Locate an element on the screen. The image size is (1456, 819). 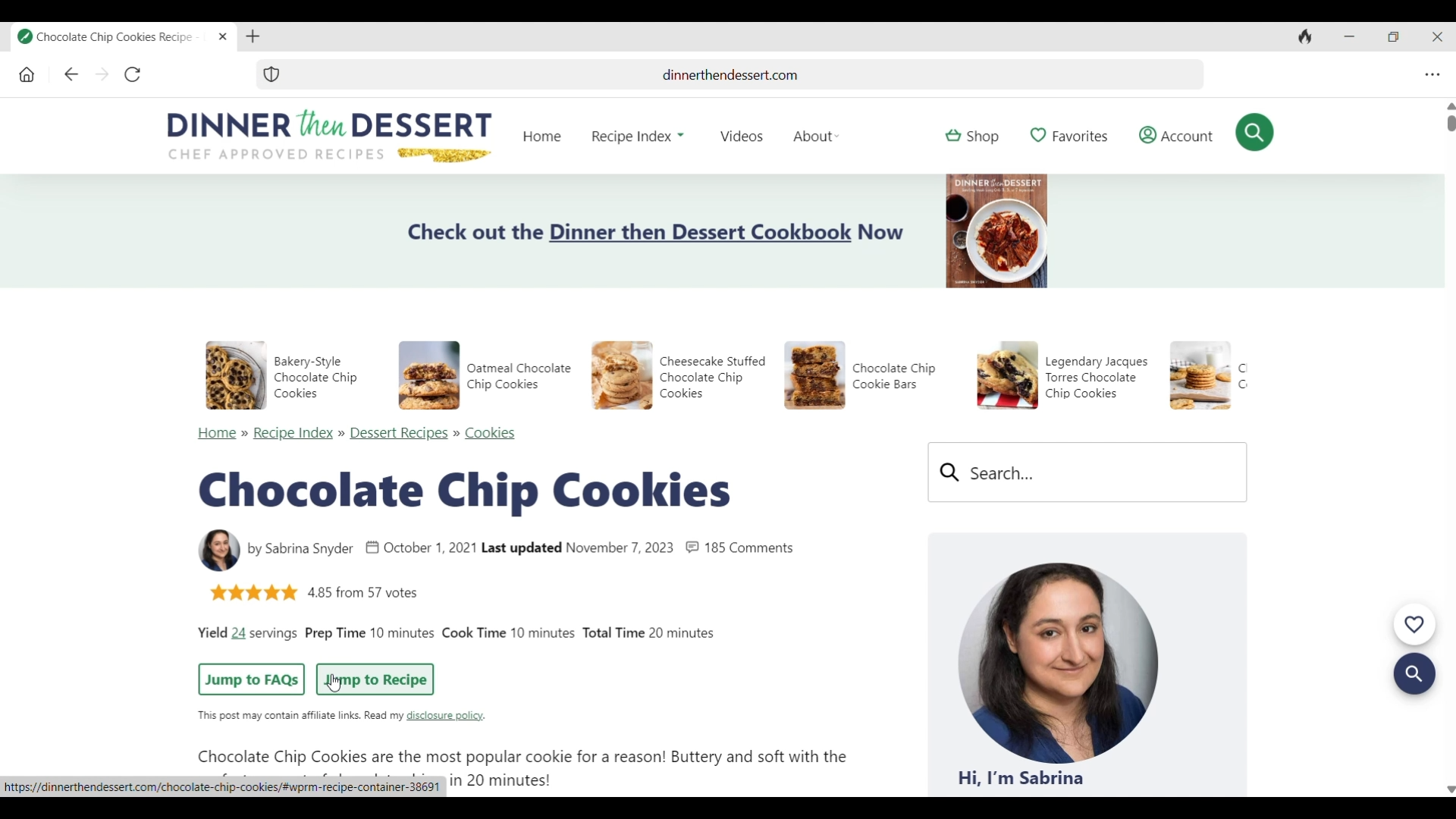
Shop is located at coordinates (972, 136).